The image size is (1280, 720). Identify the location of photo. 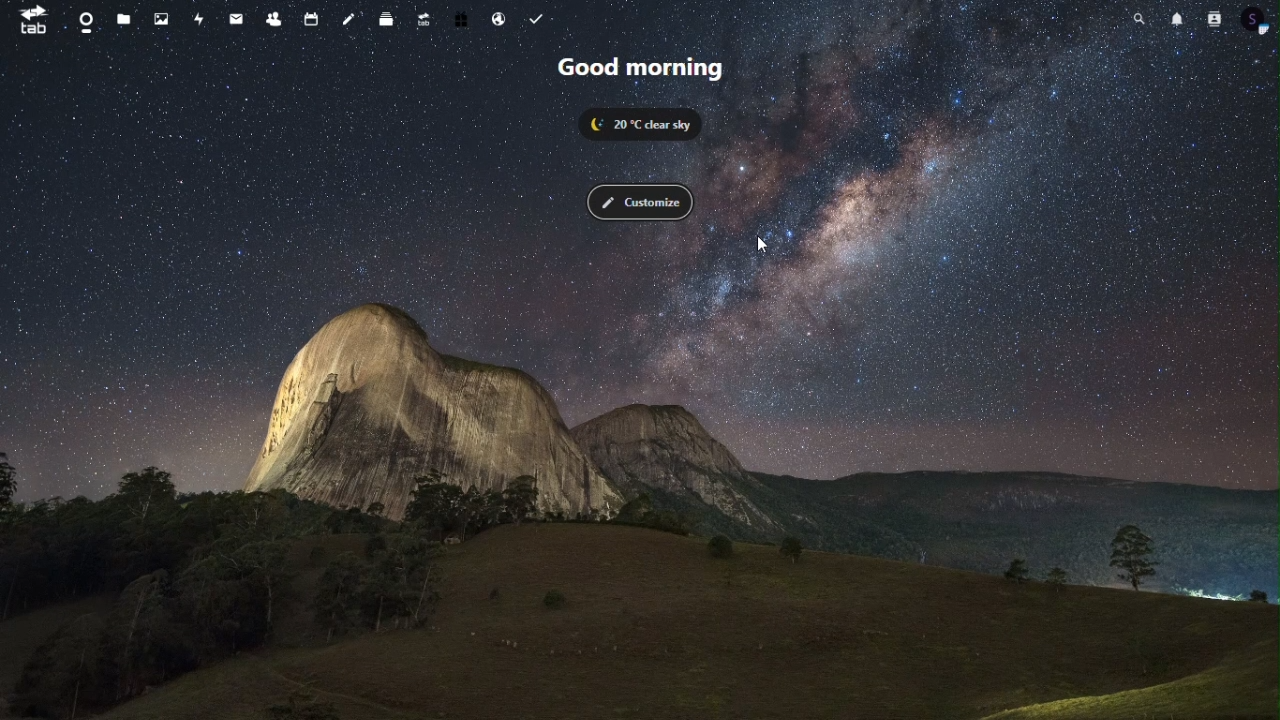
(164, 20).